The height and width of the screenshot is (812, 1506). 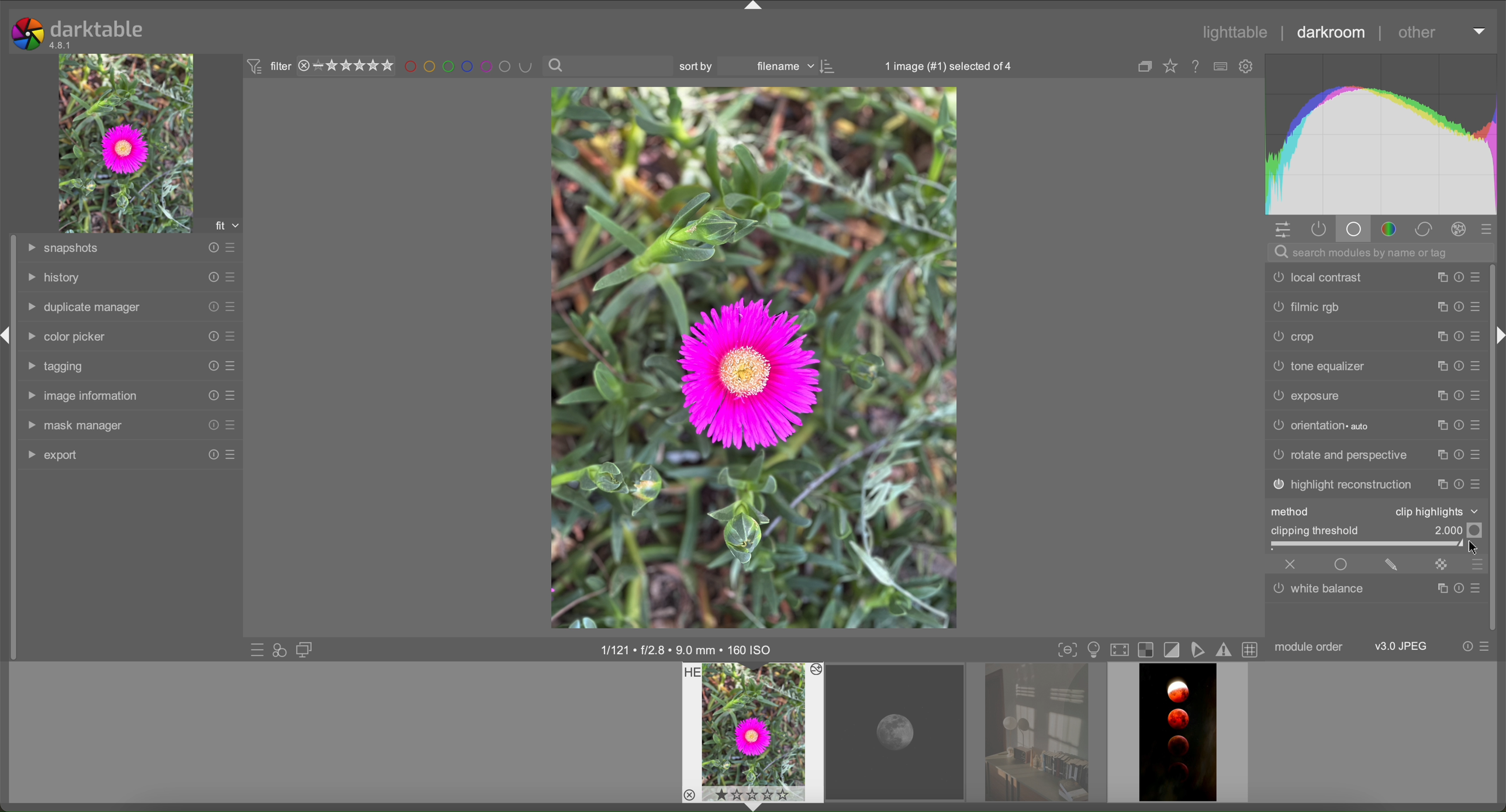 I want to click on tone equalizer, so click(x=1320, y=364).